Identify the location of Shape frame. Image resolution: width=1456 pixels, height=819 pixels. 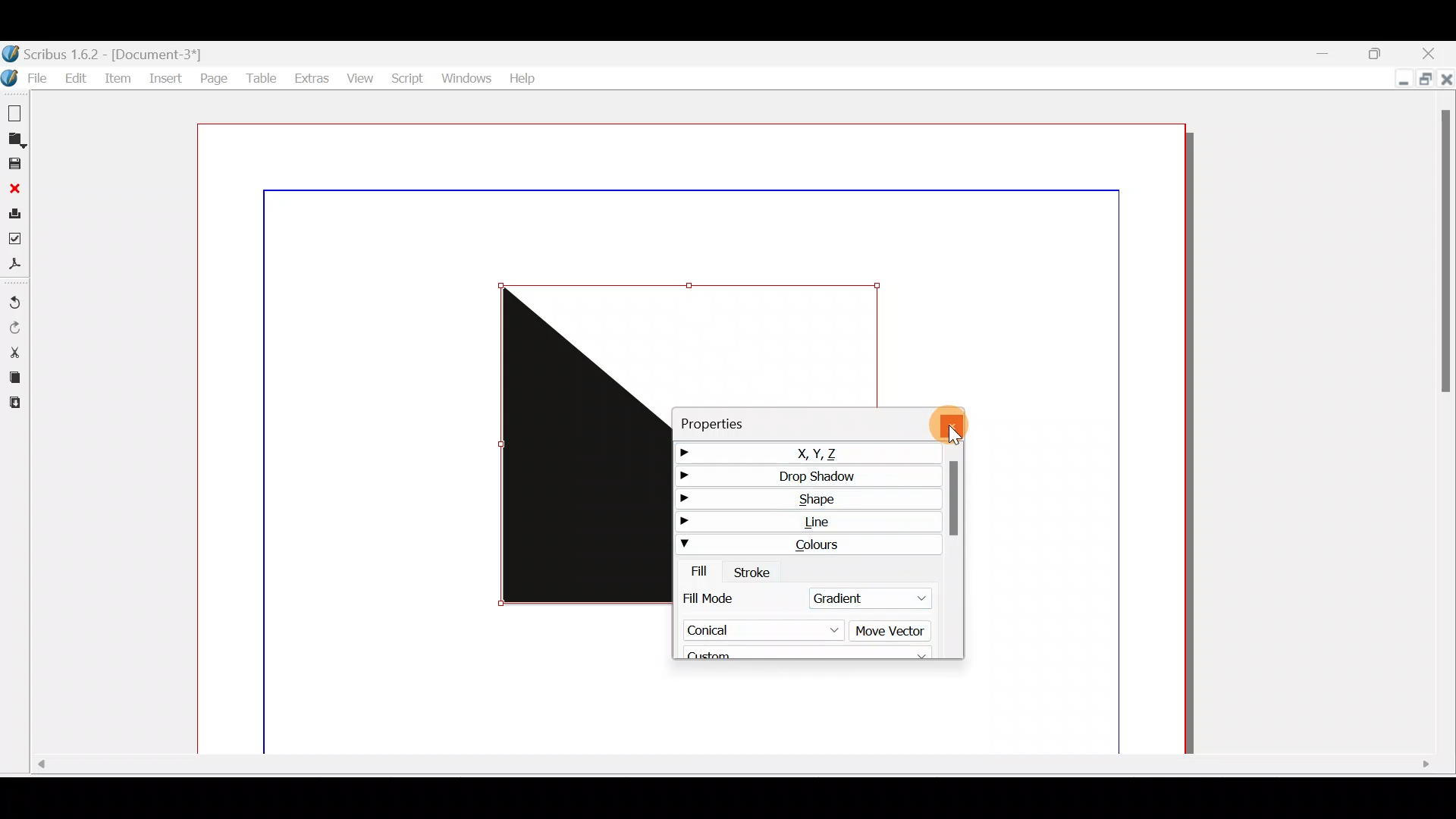
(580, 447).